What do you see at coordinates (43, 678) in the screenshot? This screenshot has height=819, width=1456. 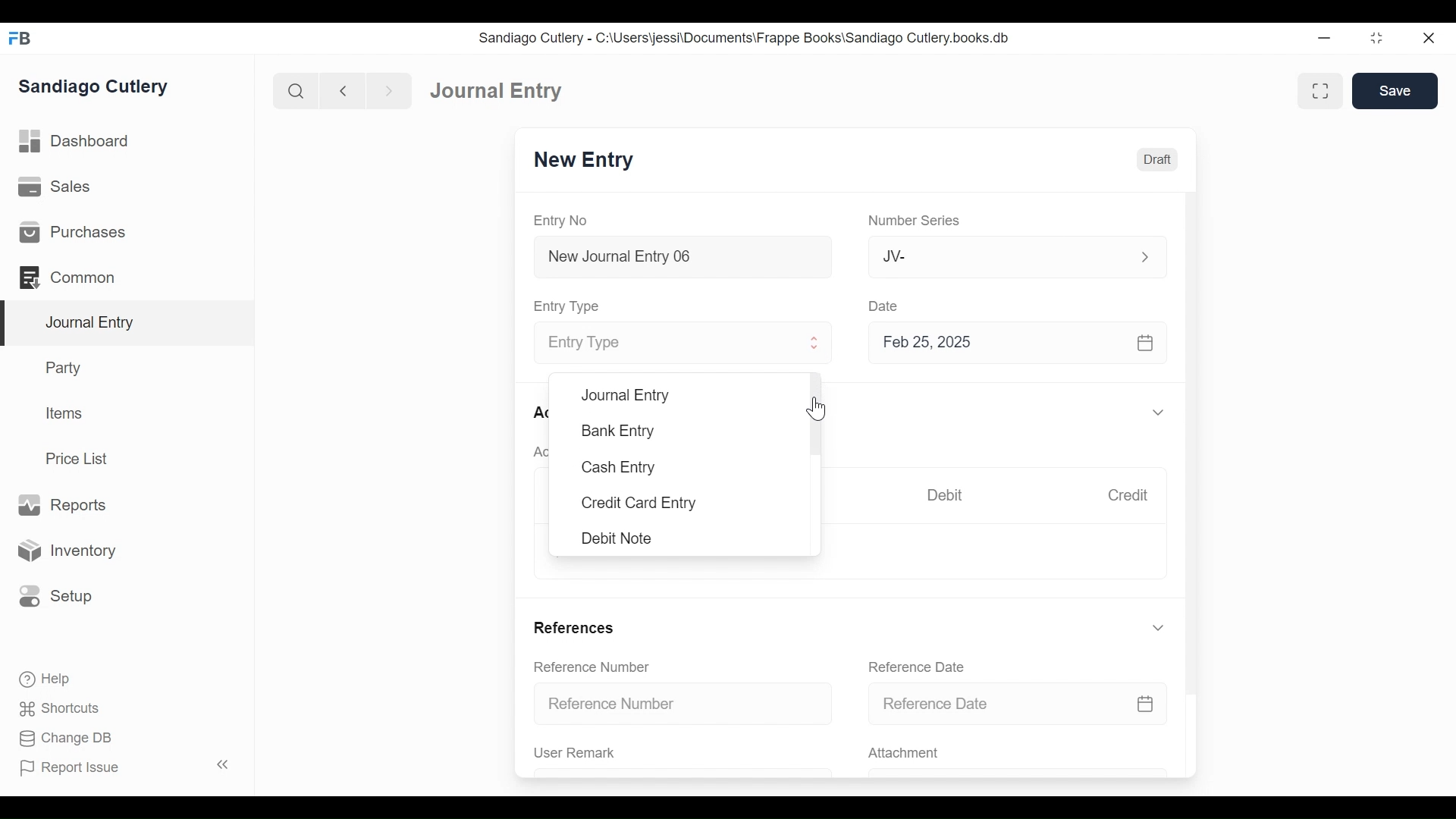 I see `Help` at bounding box center [43, 678].